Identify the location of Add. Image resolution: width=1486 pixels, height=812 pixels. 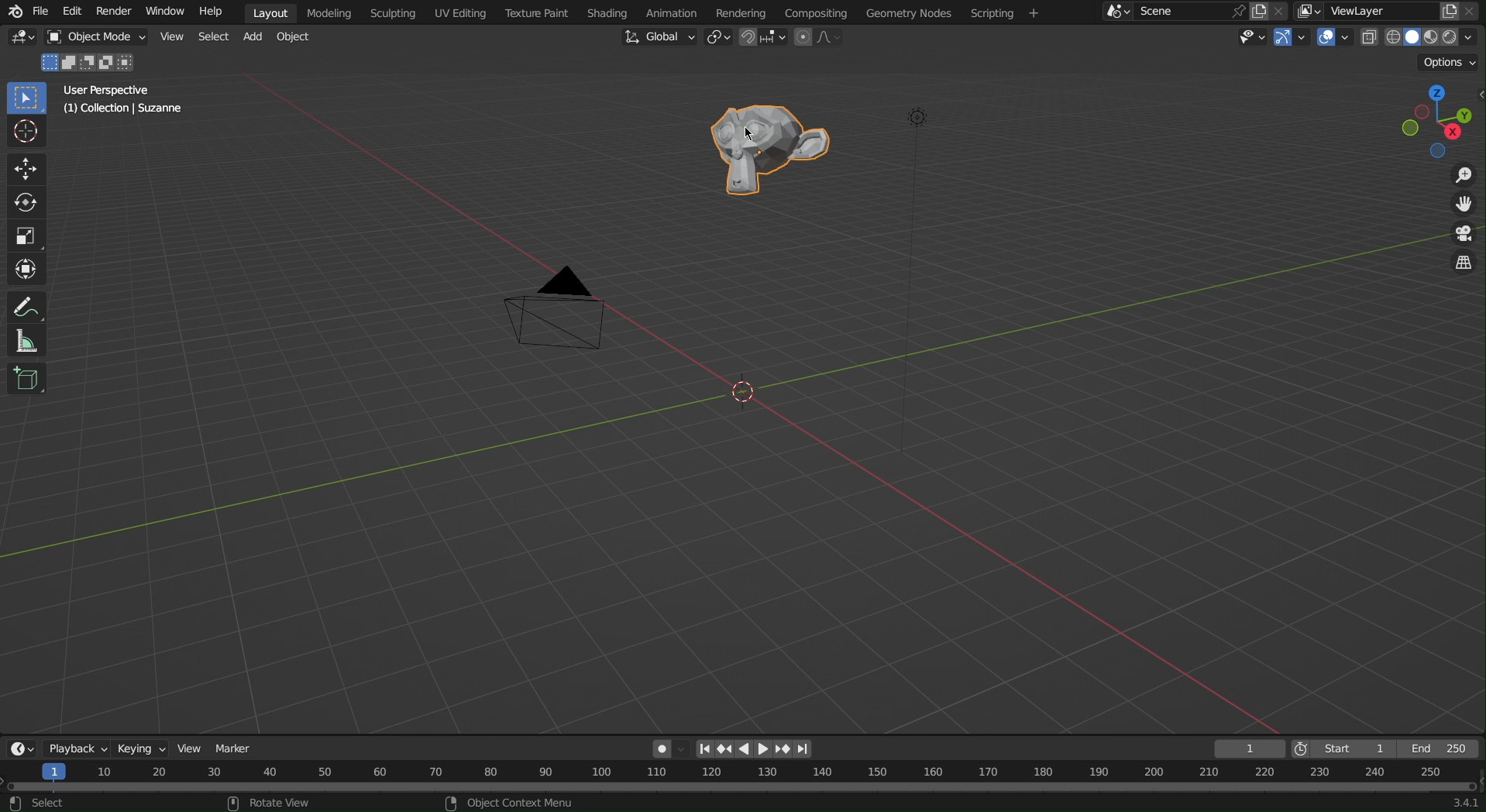
(254, 42).